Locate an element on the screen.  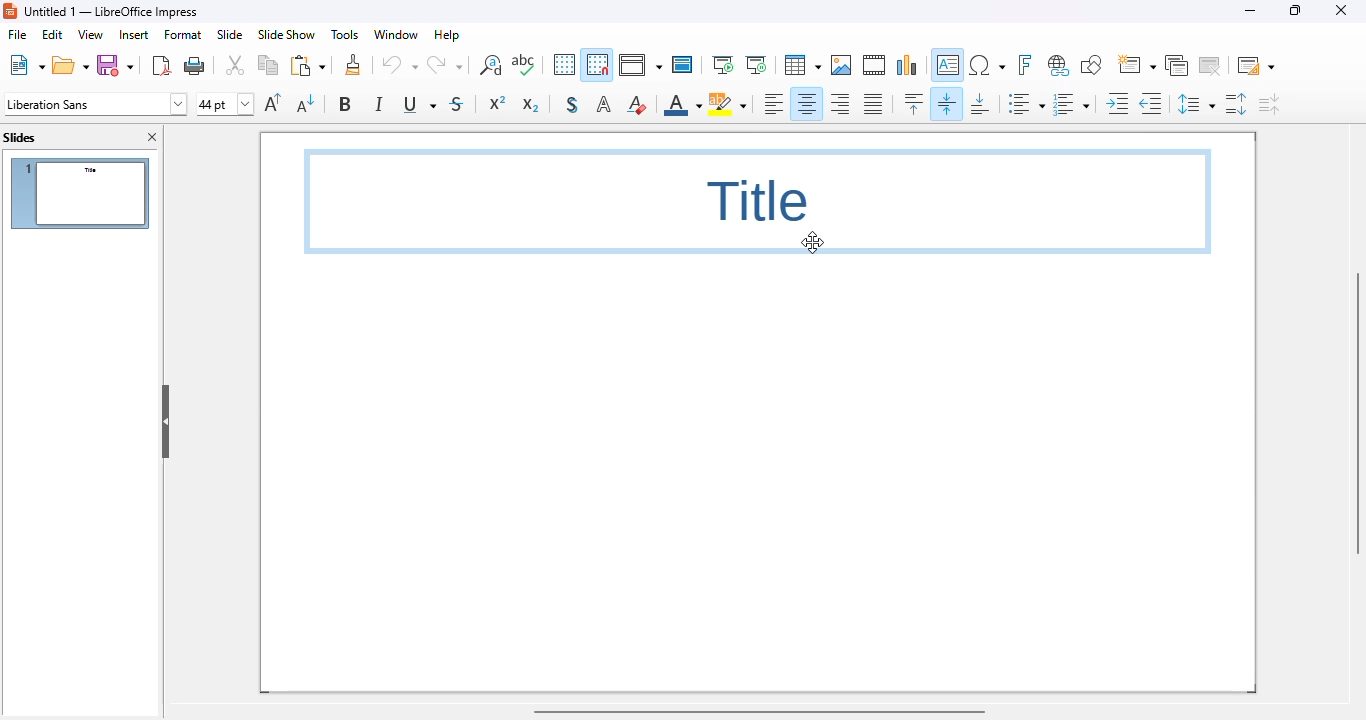
start from current slide is located at coordinates (756, 65).